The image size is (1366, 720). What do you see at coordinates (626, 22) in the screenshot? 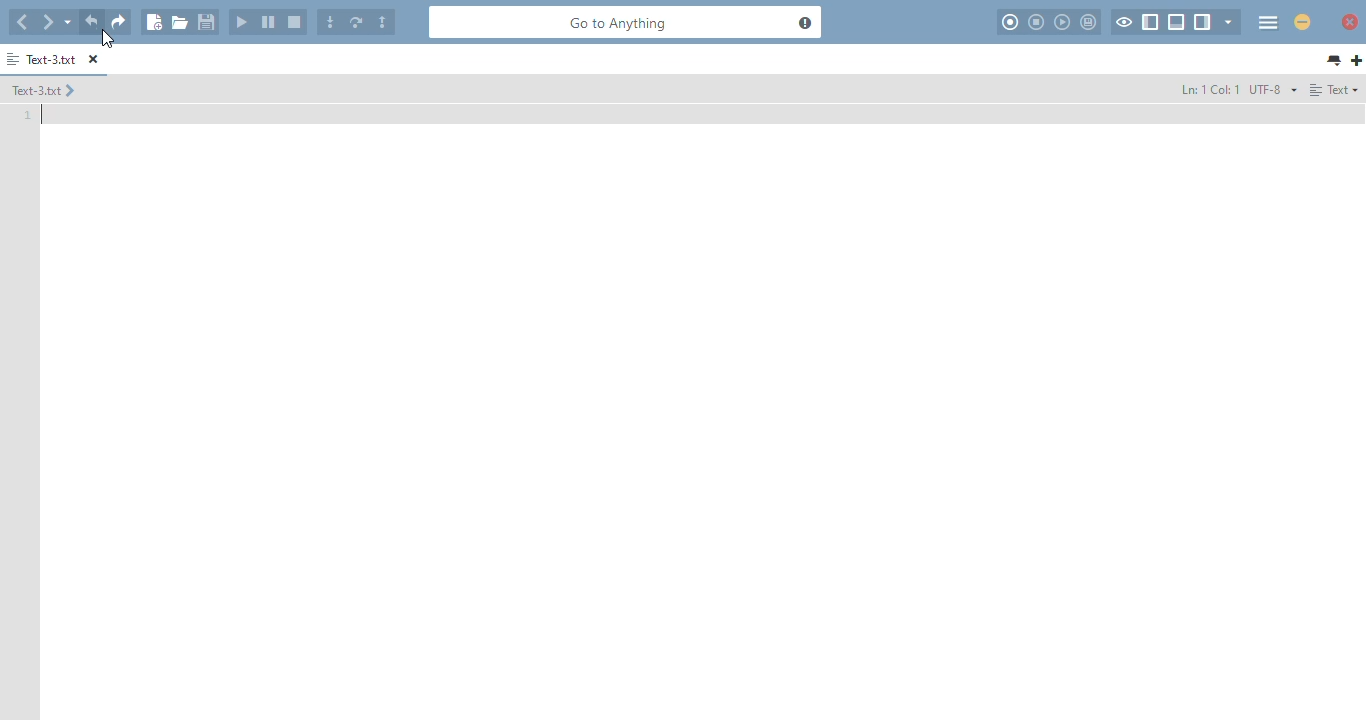
I see `go to anything` at bounding box center [626, 22].